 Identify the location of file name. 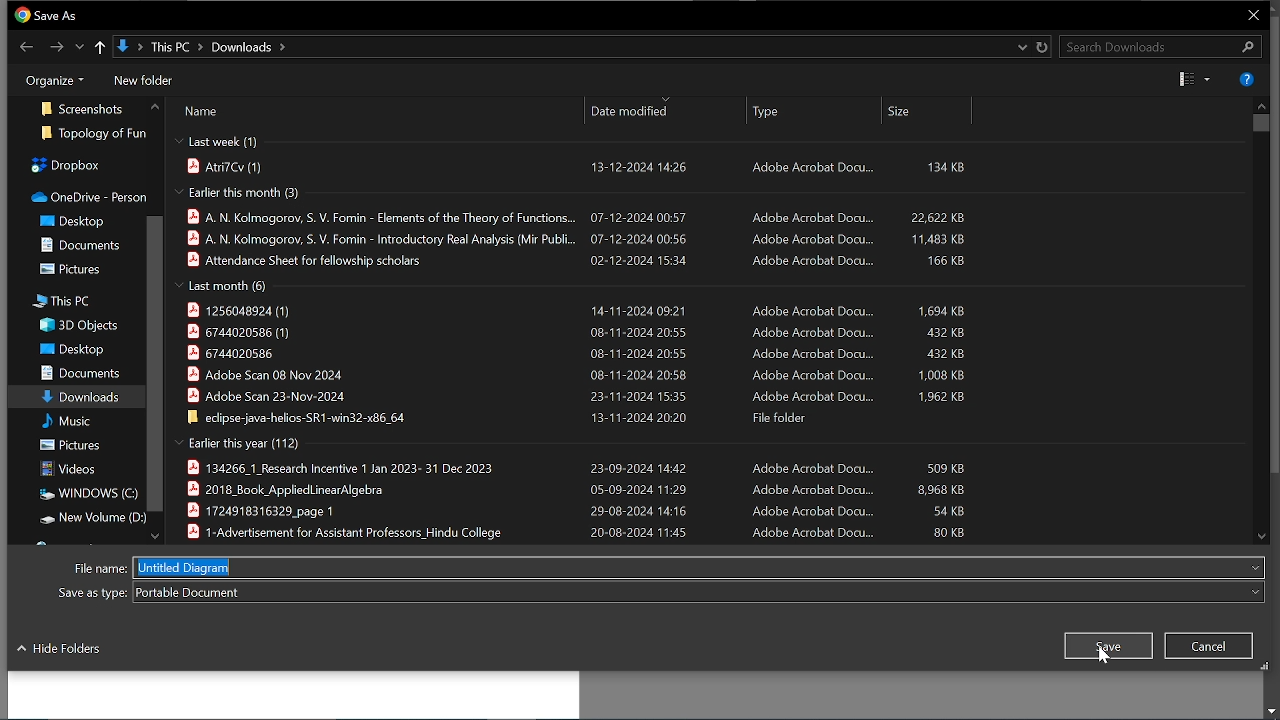
(375, 112).